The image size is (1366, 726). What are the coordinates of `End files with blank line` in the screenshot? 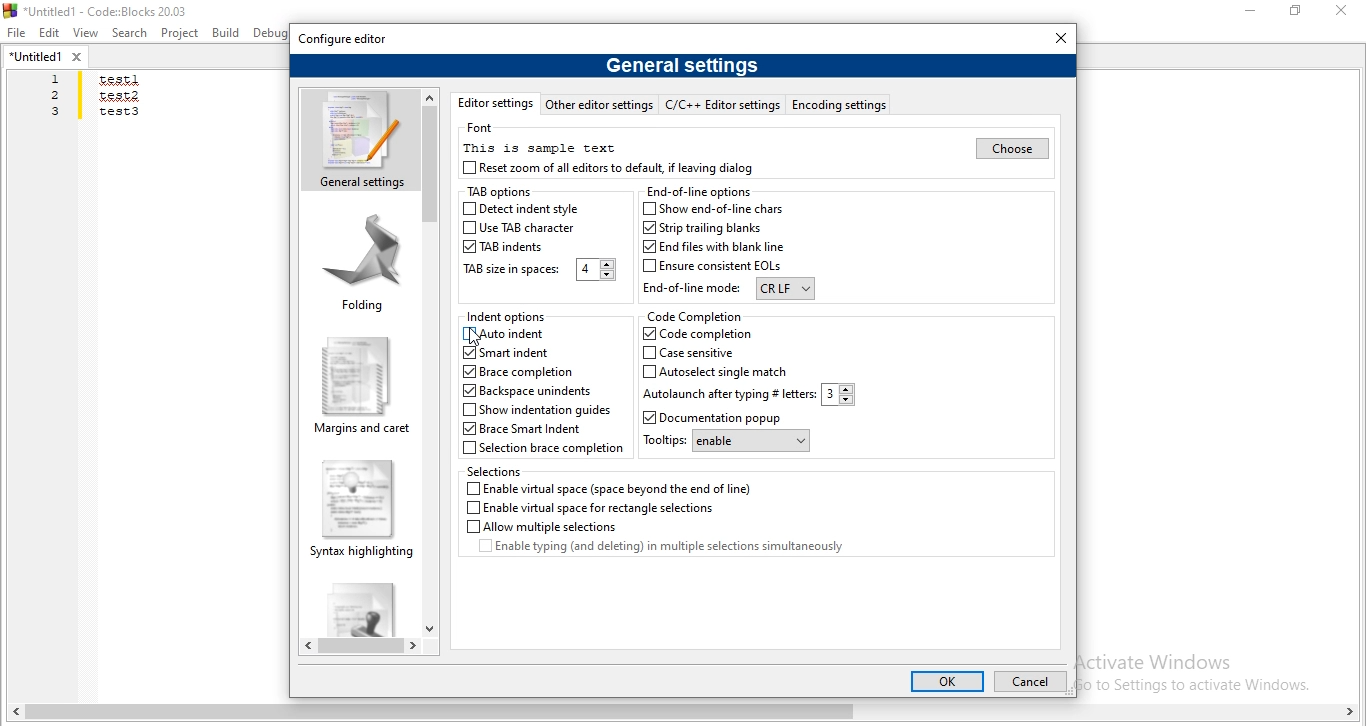 It's located at (711, 247).